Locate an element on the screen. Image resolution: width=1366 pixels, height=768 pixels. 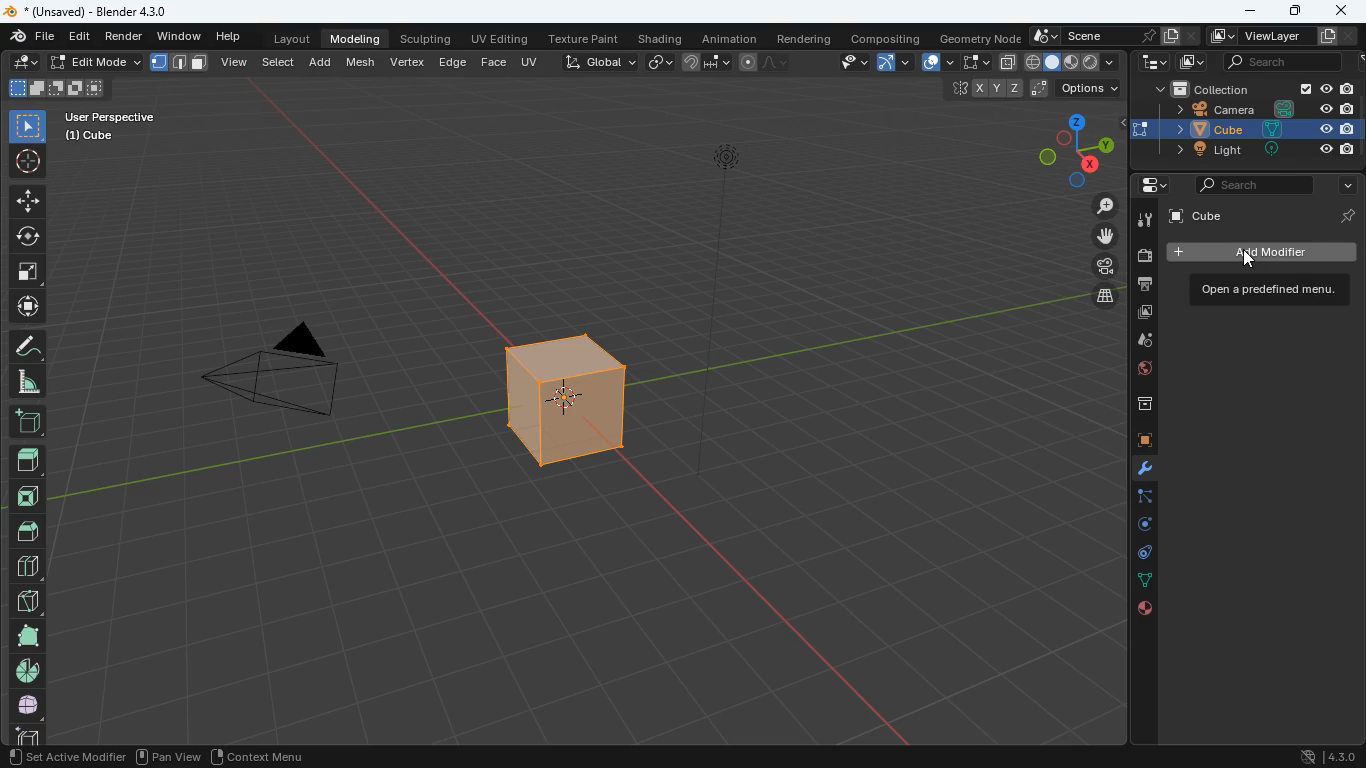
format is located at coordinates (181, 63).